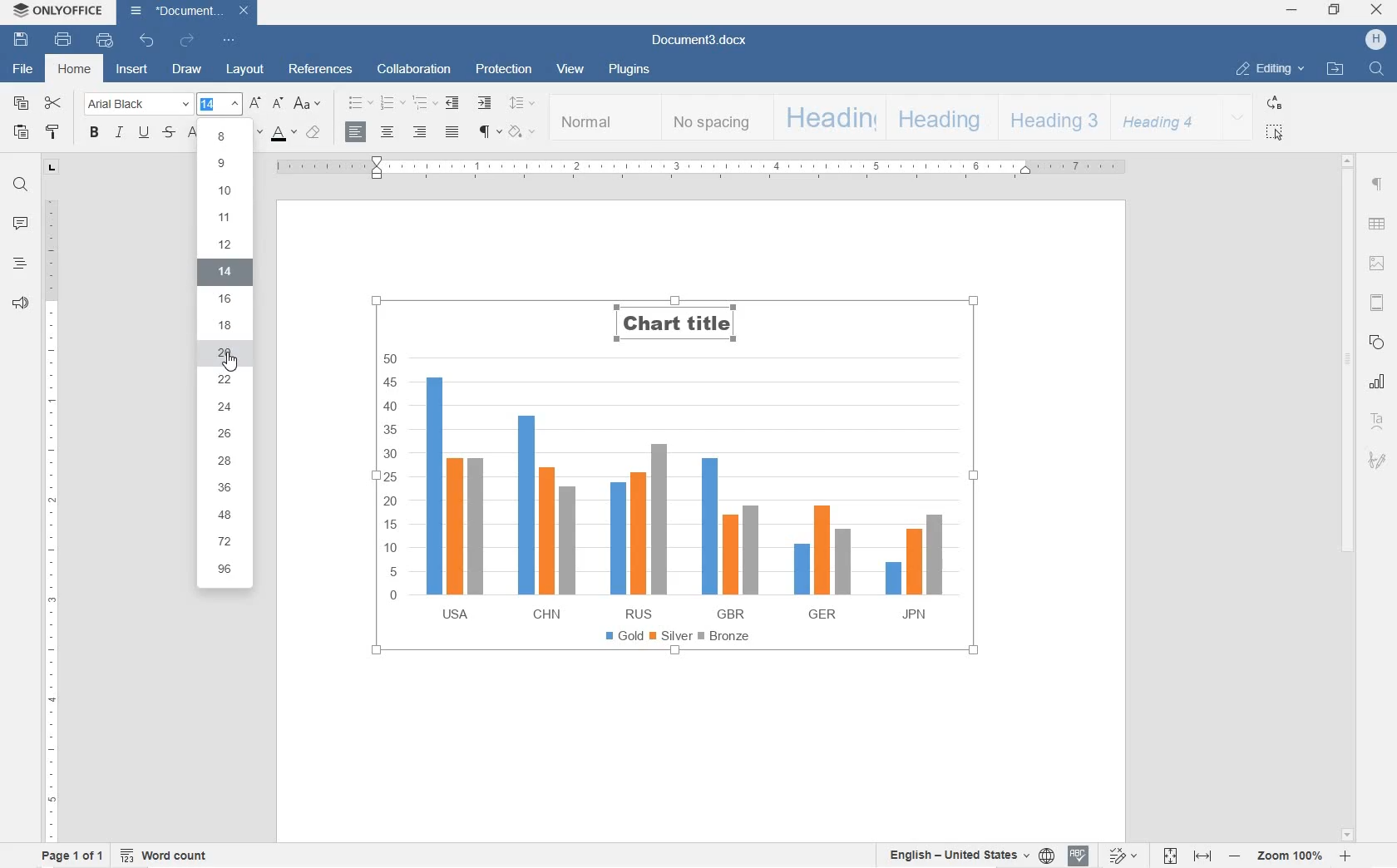  Describe the element at coordinates (425, 104) in the screenshot. I see `MULTILEVEL LISTS` at that location.